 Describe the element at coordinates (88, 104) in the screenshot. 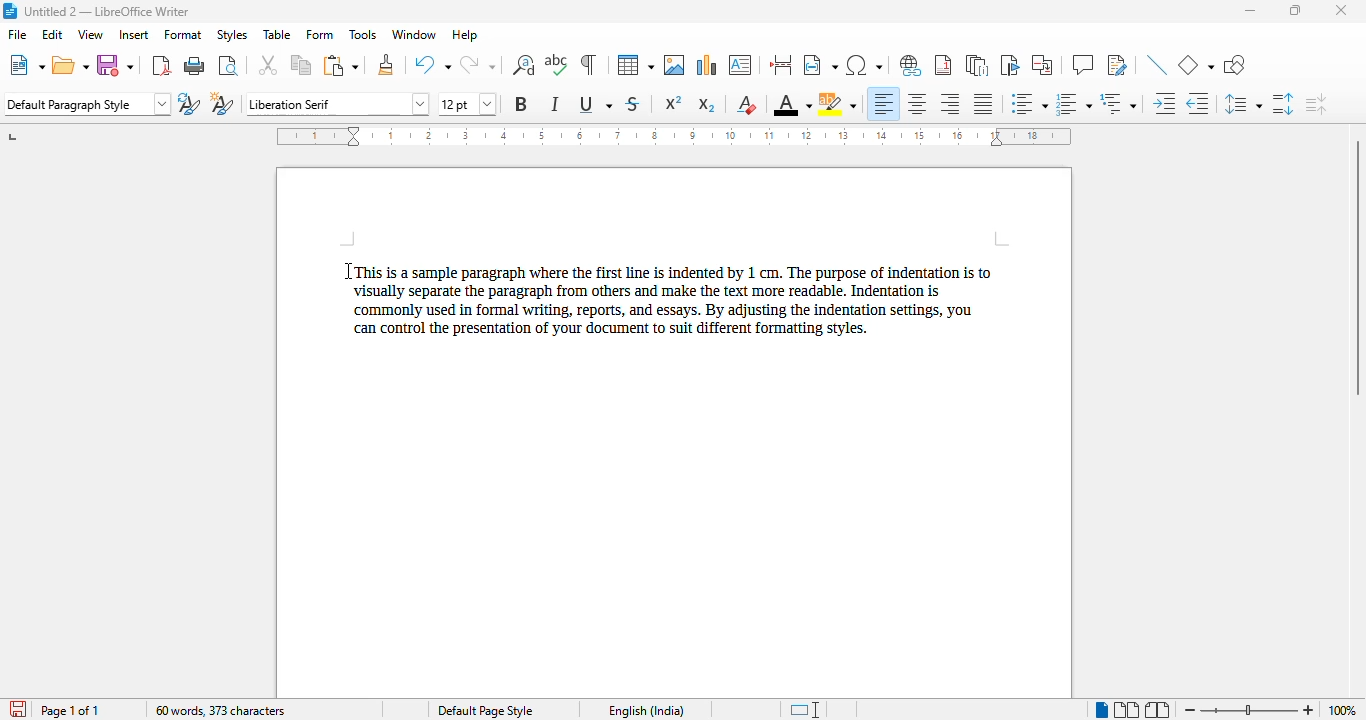

I see `set paragraph style` at that location.